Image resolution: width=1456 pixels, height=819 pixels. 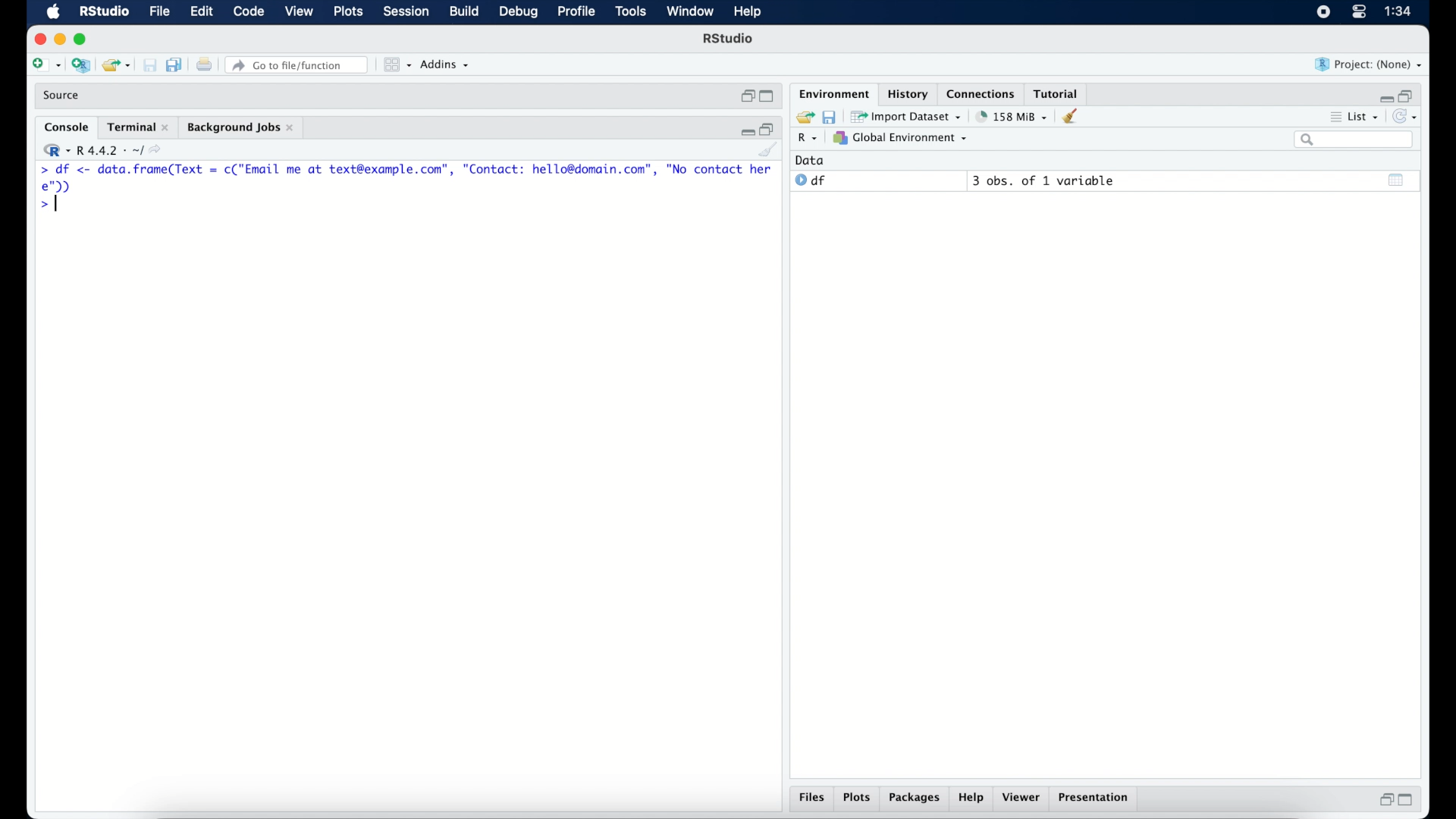 What do you see at coordinates (766, 96) in the screenshot?
I see `maximize` at bounding box center [766, 96].